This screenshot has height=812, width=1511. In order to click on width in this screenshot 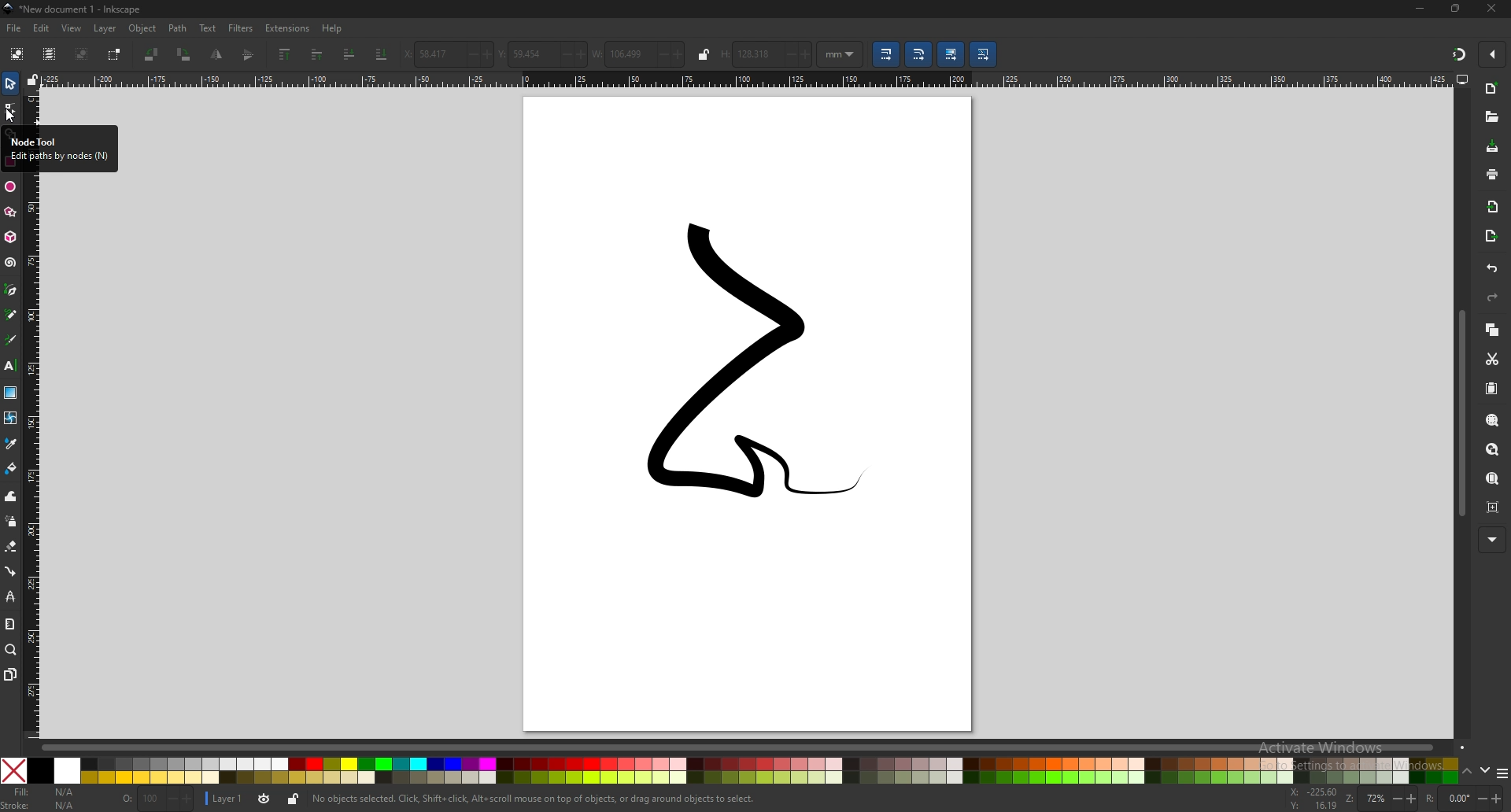, I will do `click(640, 54)`.